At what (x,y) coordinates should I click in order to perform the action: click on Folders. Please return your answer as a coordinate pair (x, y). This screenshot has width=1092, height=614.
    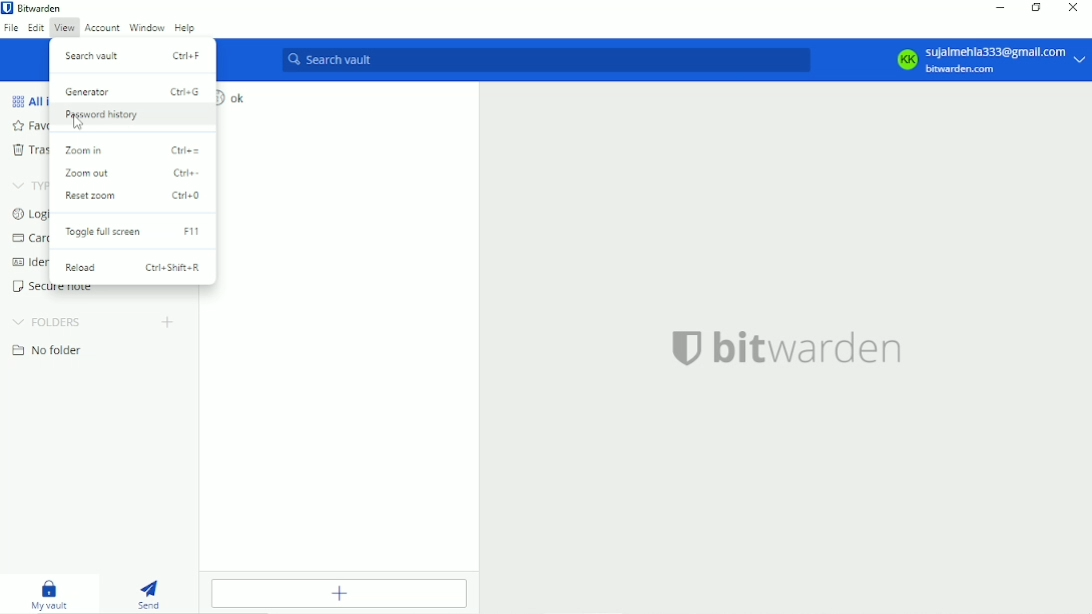
    Looking at the image, I should click on (49, 322).